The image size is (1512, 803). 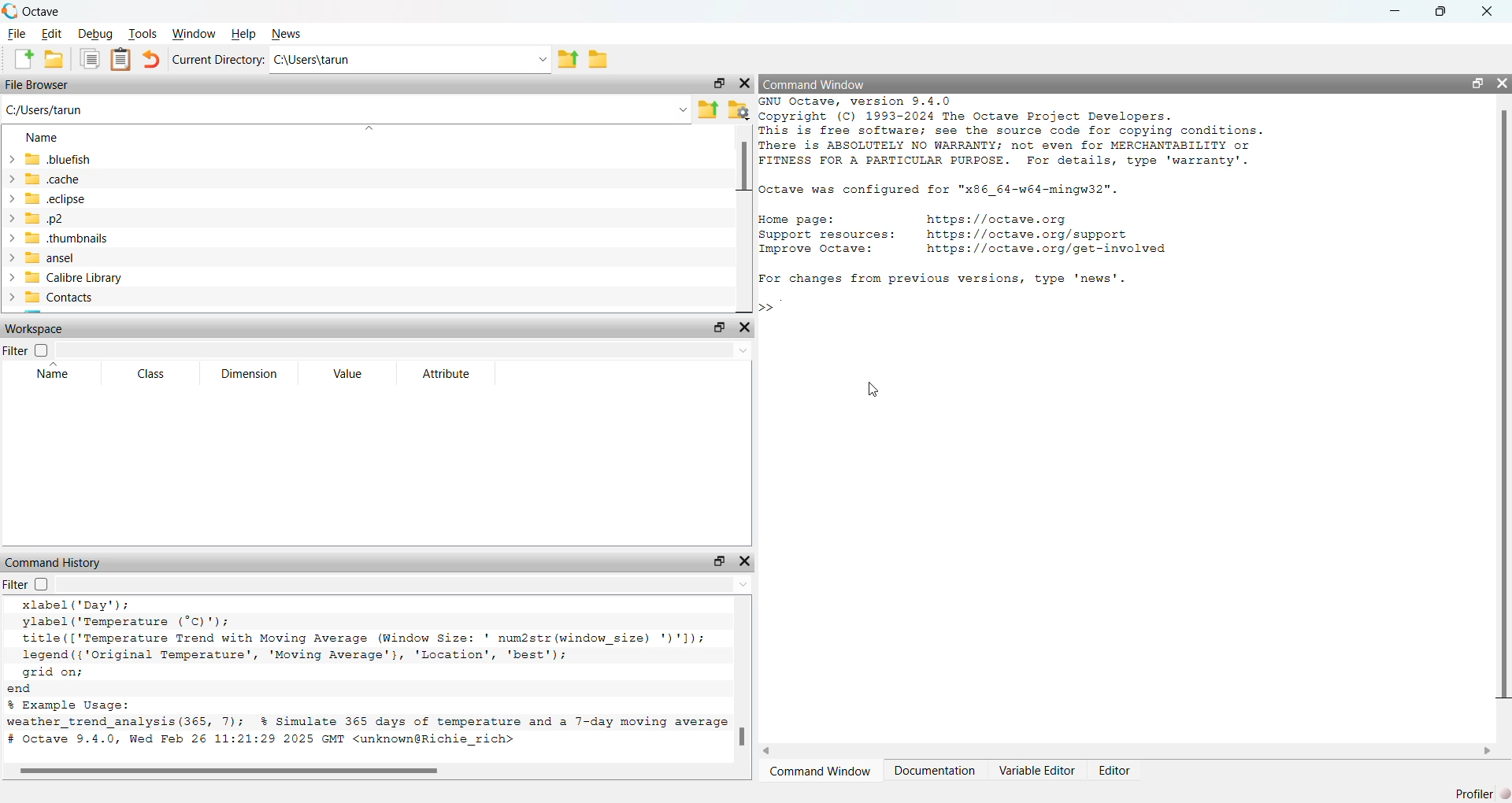 What do you see at coordinates (65, 277) in the screenshot?
I see `Calibre Library` at bounding box center [65, 277].